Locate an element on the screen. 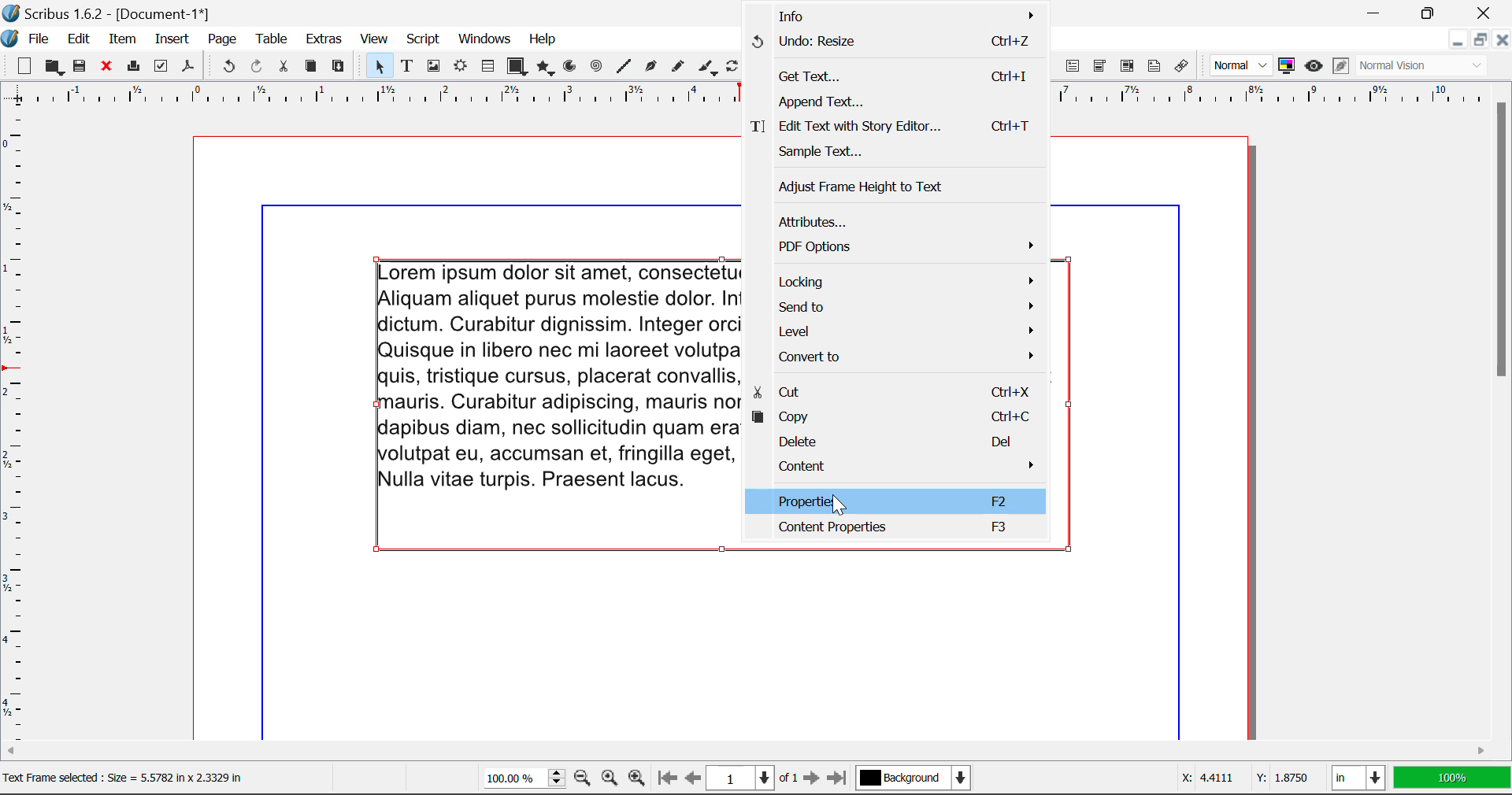  Delete is located at coordinates (896, 438).